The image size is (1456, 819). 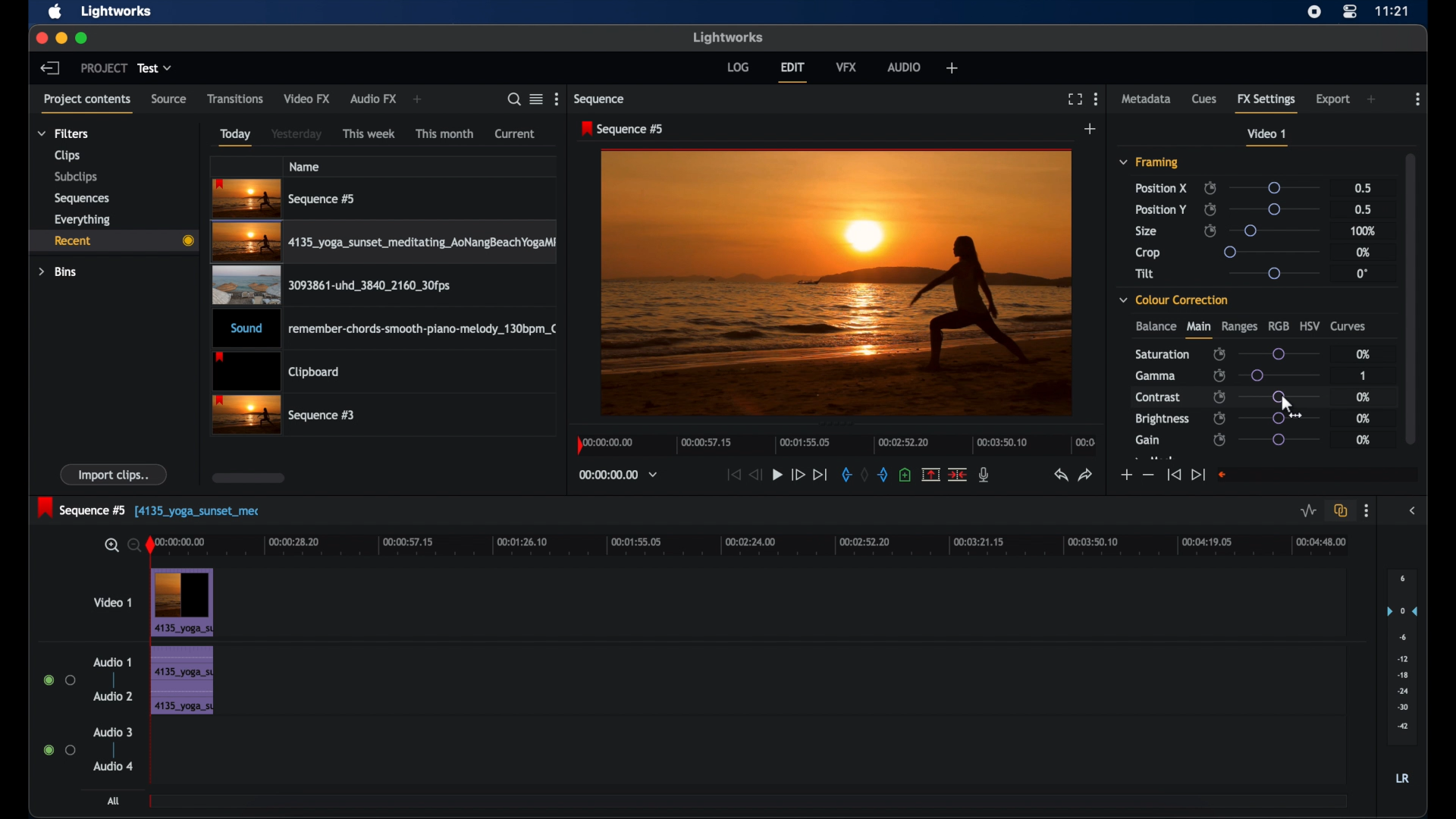 What do you see at coordinates (1219, 355) in the screenshot?
I see `enable/disable keyframes` at bounding box center [1219, 355].